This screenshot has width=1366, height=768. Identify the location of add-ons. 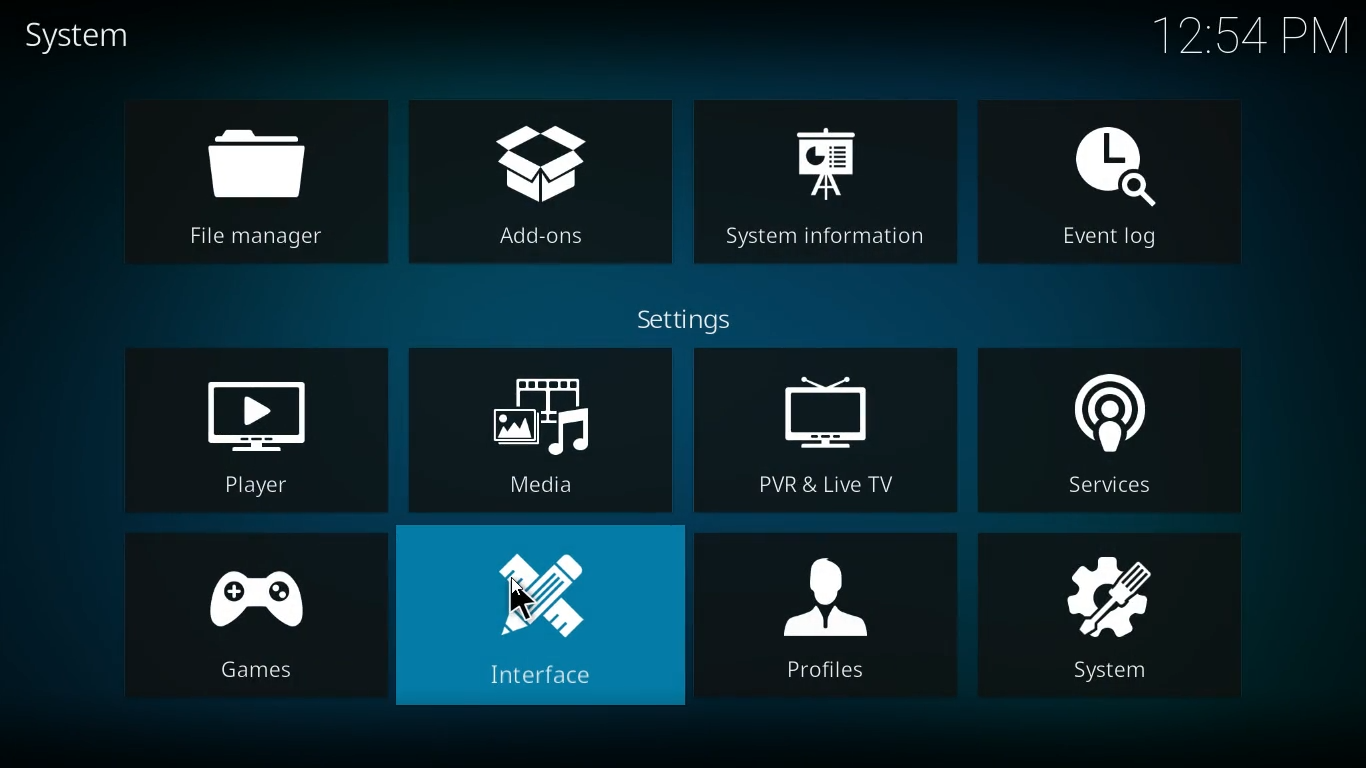
(540, 187).